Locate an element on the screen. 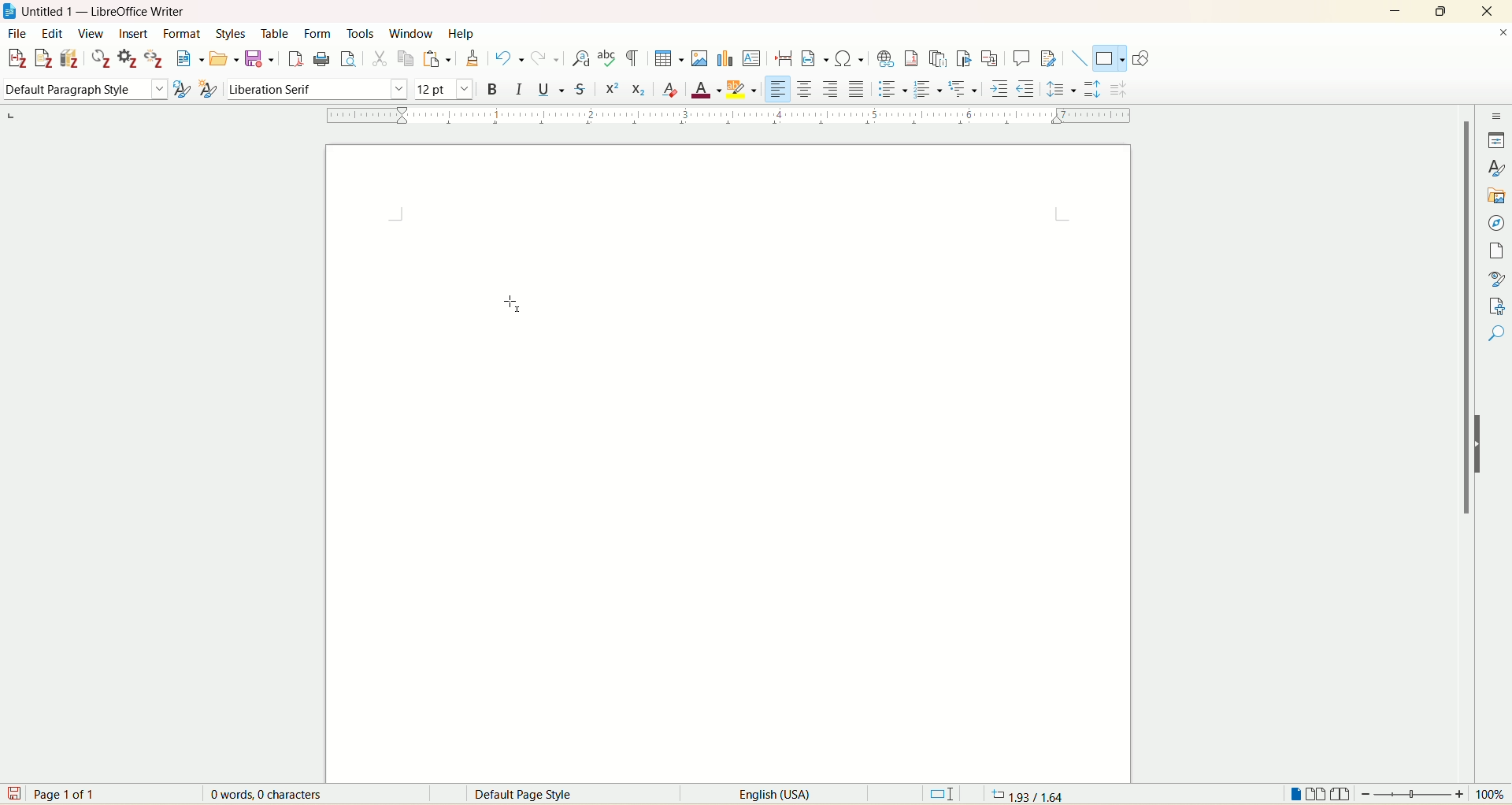 This screenshot has width=1512, height=805. properties is located at coordinates (1496, 140).